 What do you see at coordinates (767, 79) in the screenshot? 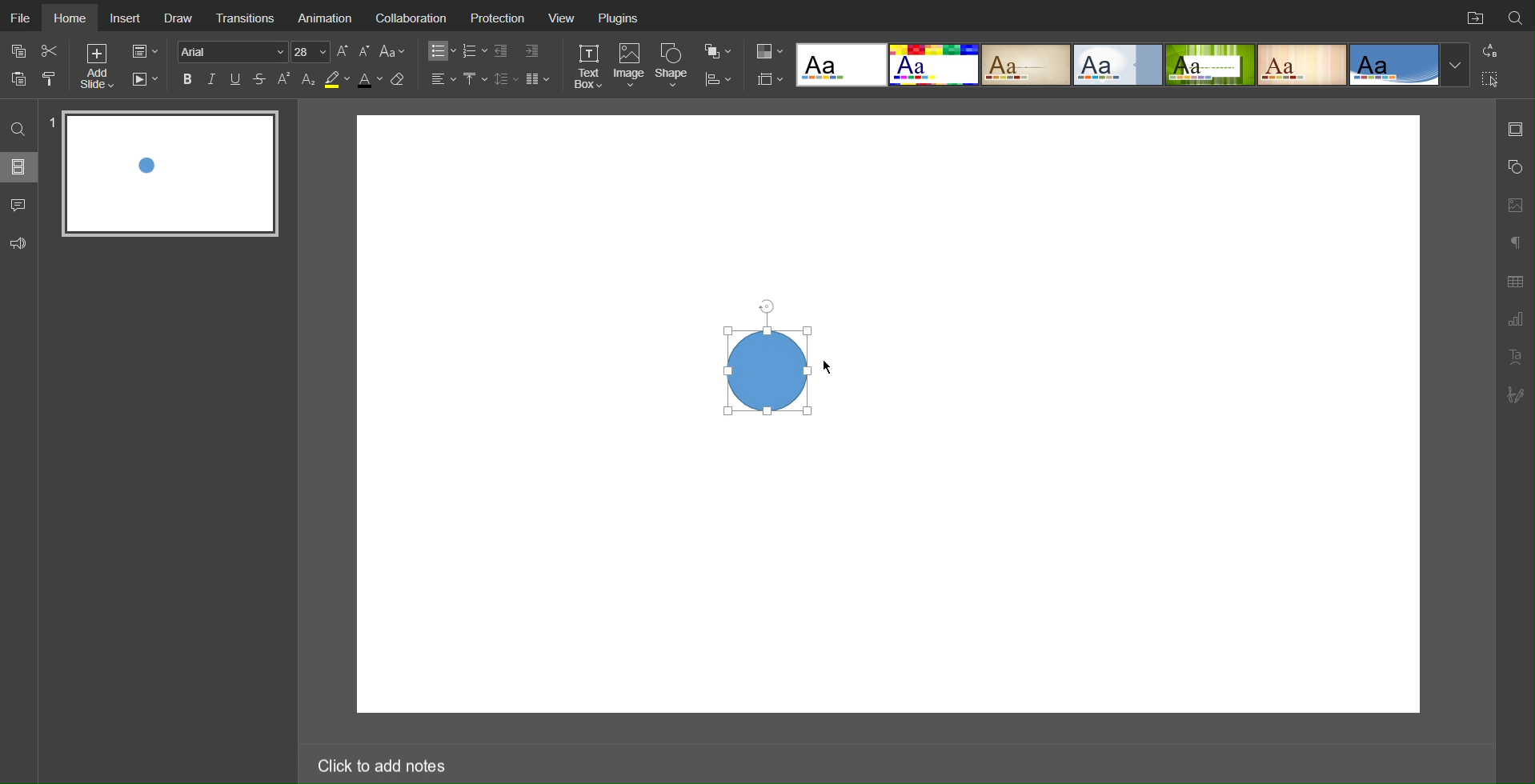
I see `Slide Settings` at bounding box center [767, 79].